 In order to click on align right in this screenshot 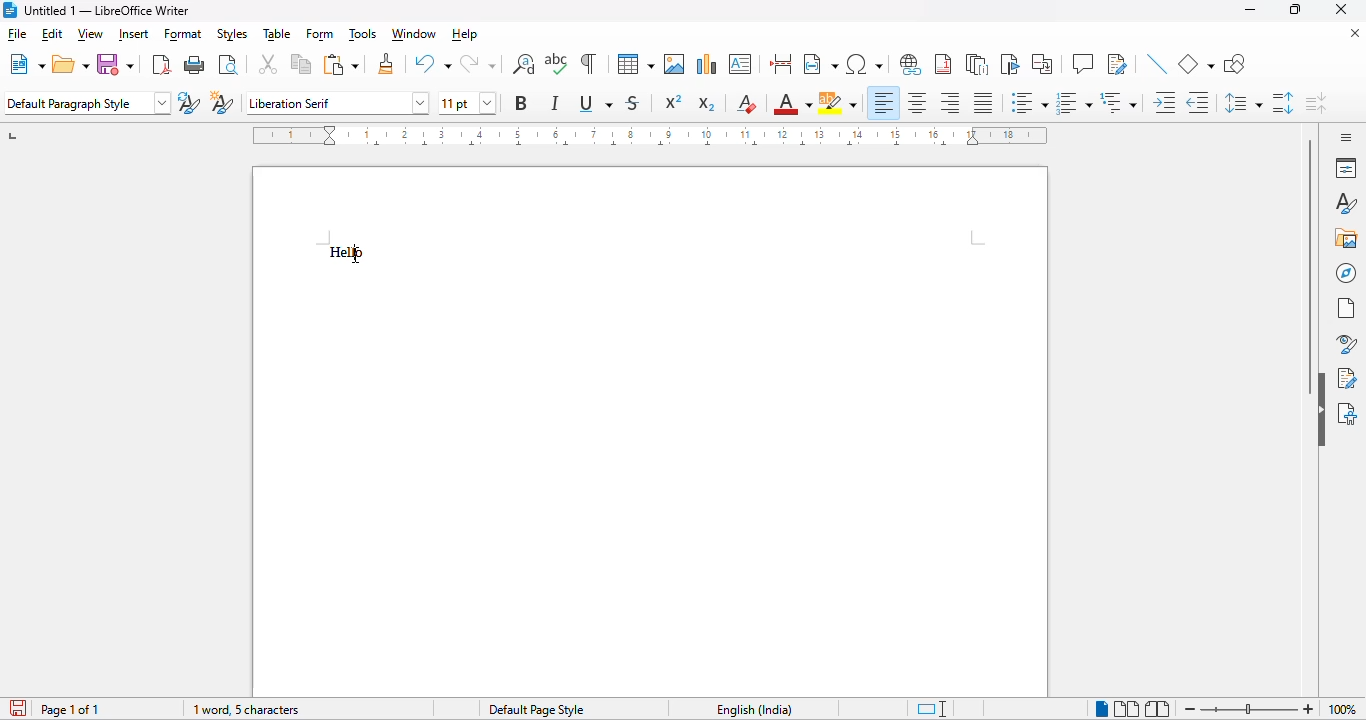, I will do `click(950, 103)`.